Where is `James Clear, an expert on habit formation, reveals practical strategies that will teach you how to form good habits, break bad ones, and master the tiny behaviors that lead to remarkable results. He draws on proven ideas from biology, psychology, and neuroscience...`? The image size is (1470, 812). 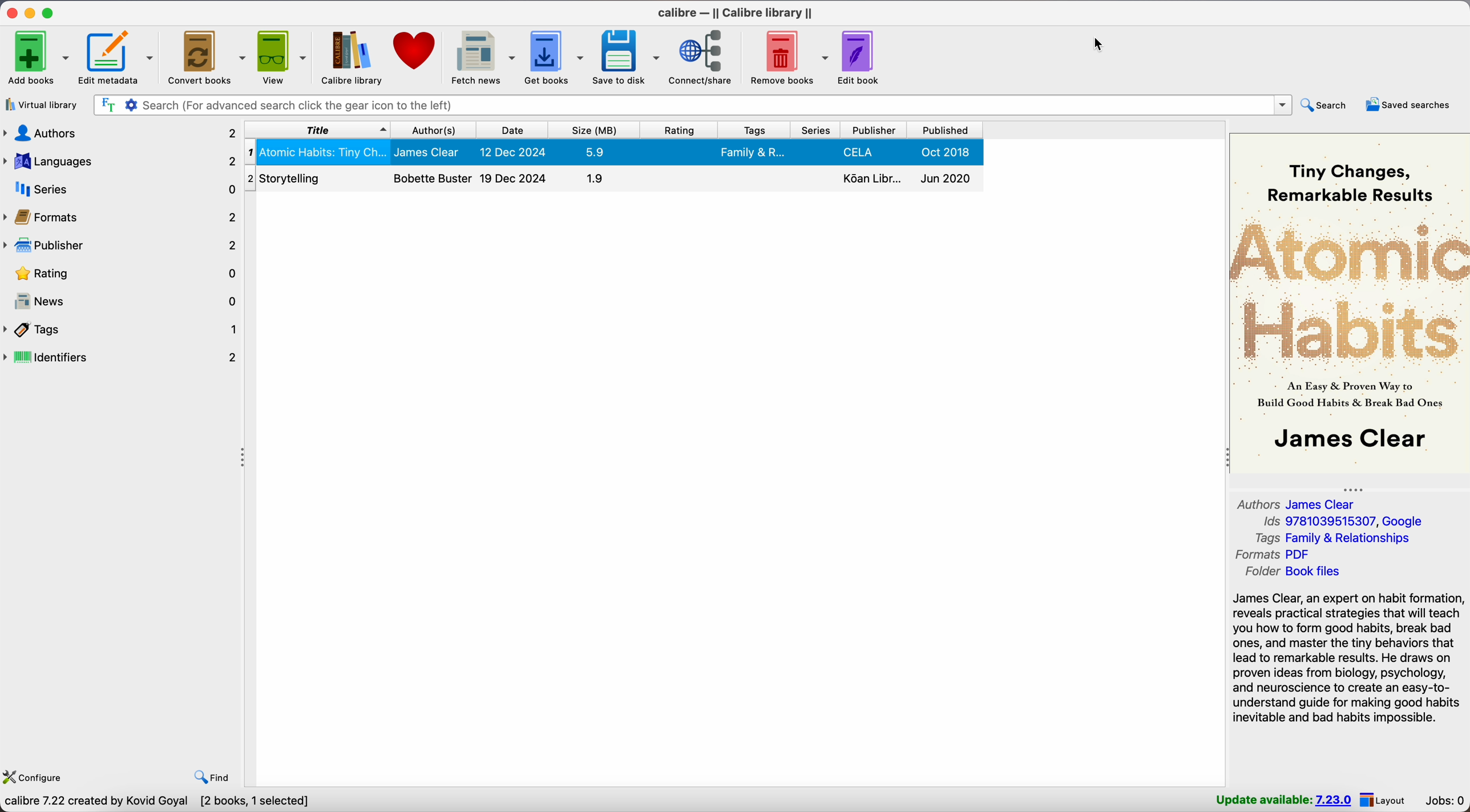 James Clear, an expert on habit formation, reveals practical strategies that will teach you how to form good habits, break bad ones, and master the tiny behaviors that lead to remarkable results. He draws on proven ideas from biology, psychology, and neuroscience... is located at coordinates (1348, 660).